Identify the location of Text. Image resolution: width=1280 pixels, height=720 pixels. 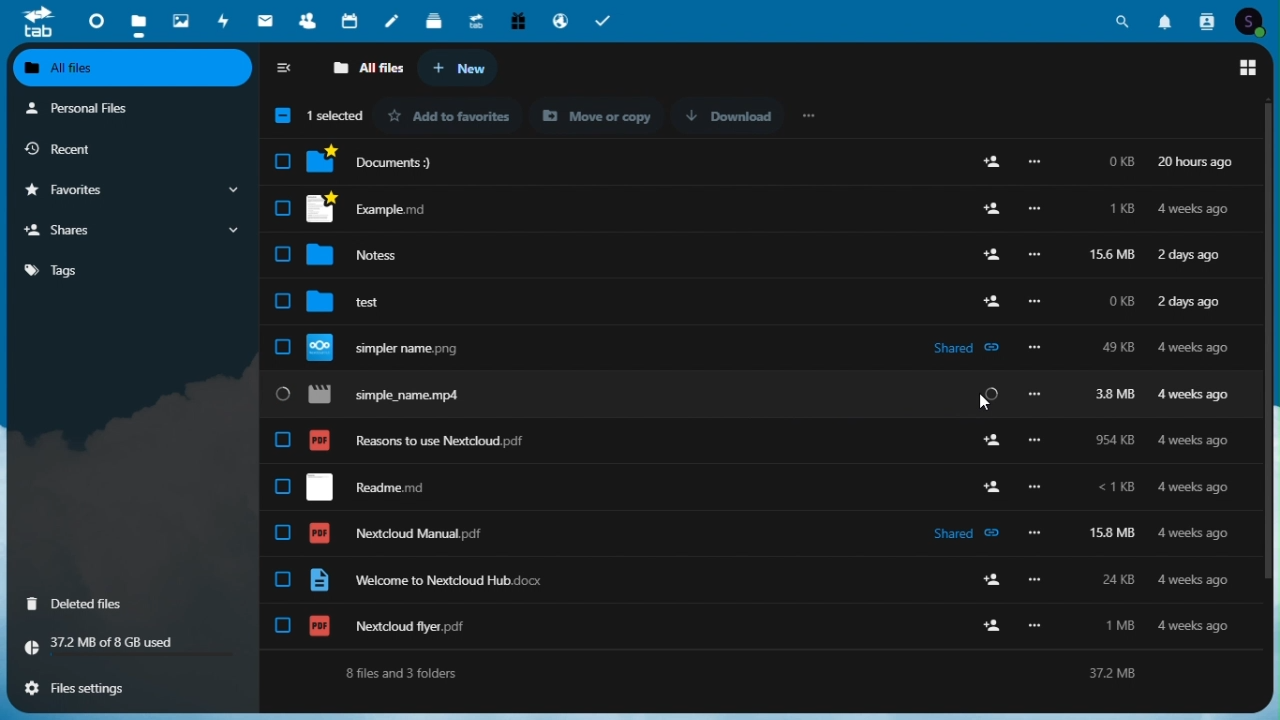
(751, 672).